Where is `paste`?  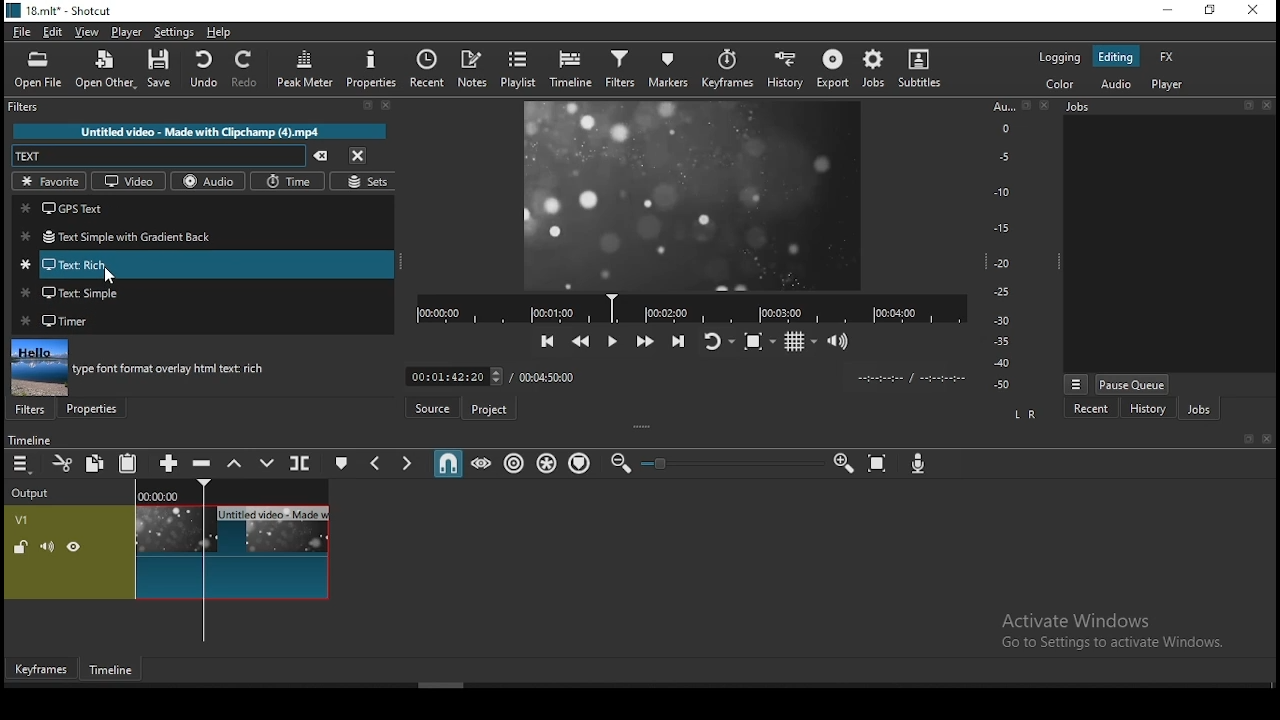 paste is located at coordinates (128, 462).